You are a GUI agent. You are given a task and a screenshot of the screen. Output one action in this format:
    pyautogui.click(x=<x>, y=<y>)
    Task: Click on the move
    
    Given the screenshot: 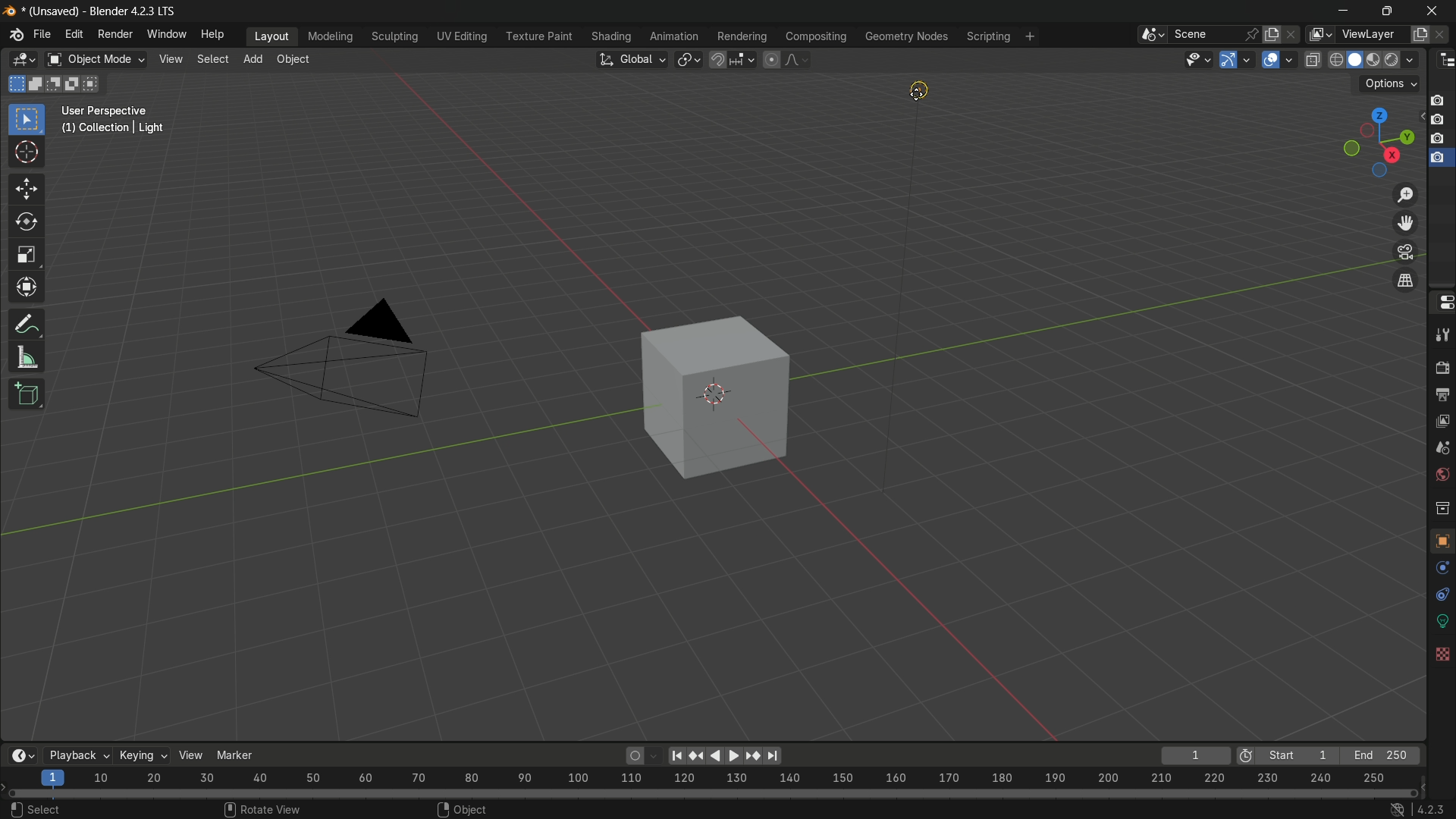 What is the action you would take?
    pyautogui.click(x=28, y=189)
    